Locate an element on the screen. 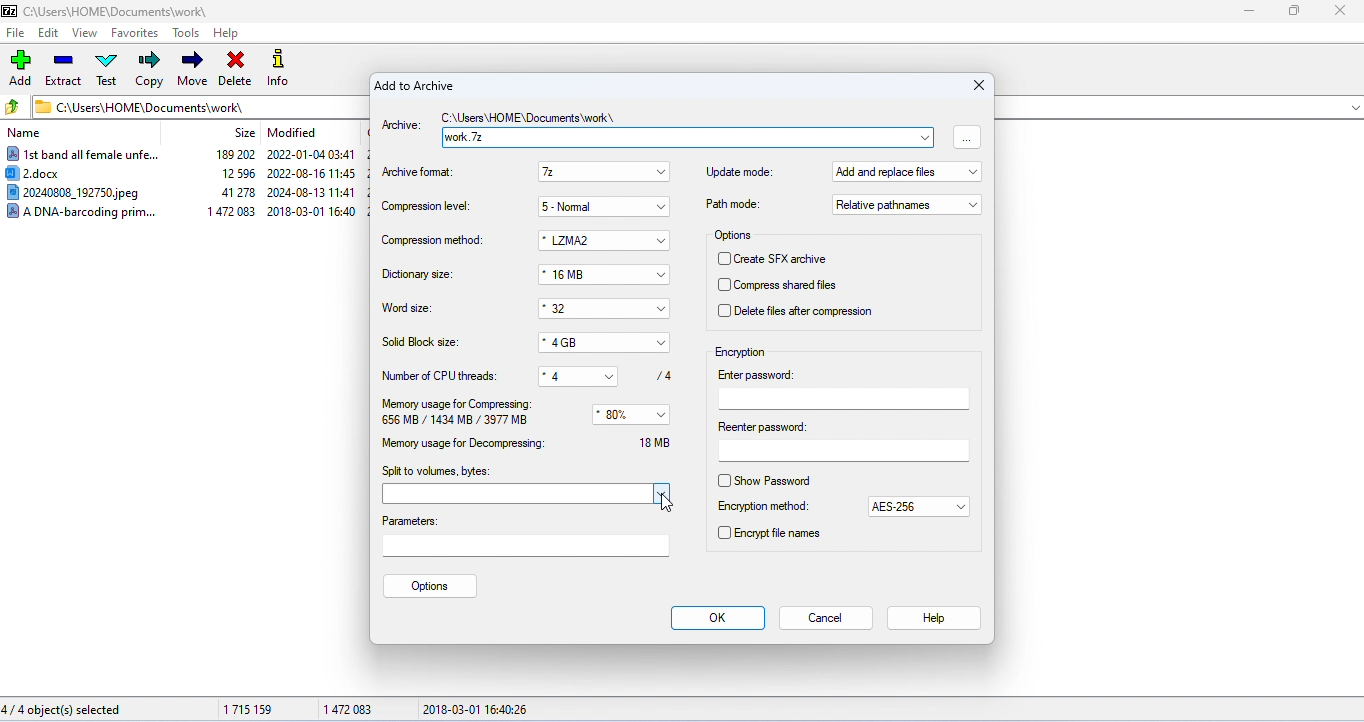  path mode is located at coordinates (733, 204).